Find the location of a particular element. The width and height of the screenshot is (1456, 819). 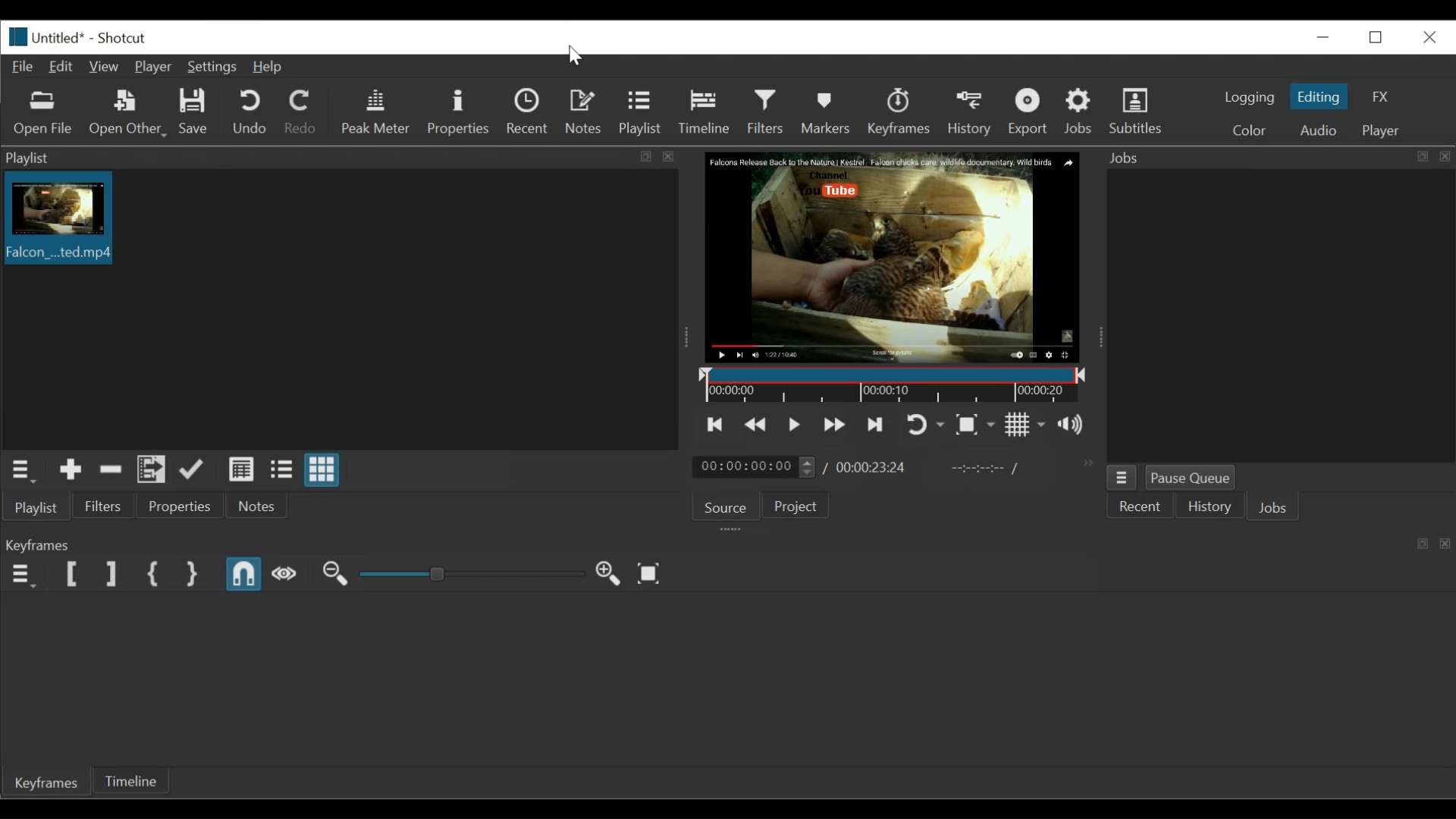

Keyframes is located at coordinates (898, 111).